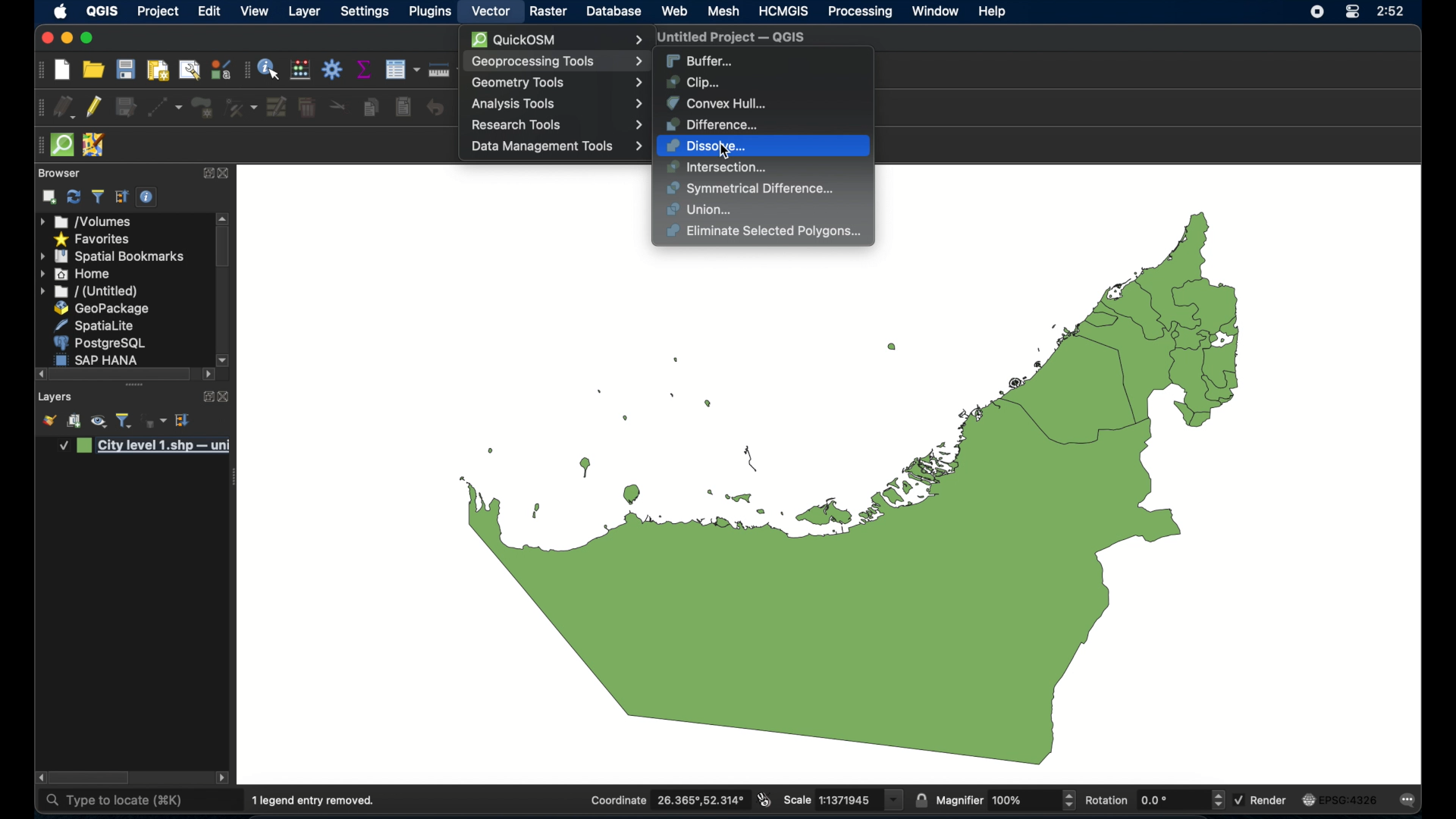 Image resolution: width=1456 pixels, height=819 pixels. What do you see at coordinates (95, 107) in the screenshot?
I see `toggle editing` at bounding box center [95, 107].